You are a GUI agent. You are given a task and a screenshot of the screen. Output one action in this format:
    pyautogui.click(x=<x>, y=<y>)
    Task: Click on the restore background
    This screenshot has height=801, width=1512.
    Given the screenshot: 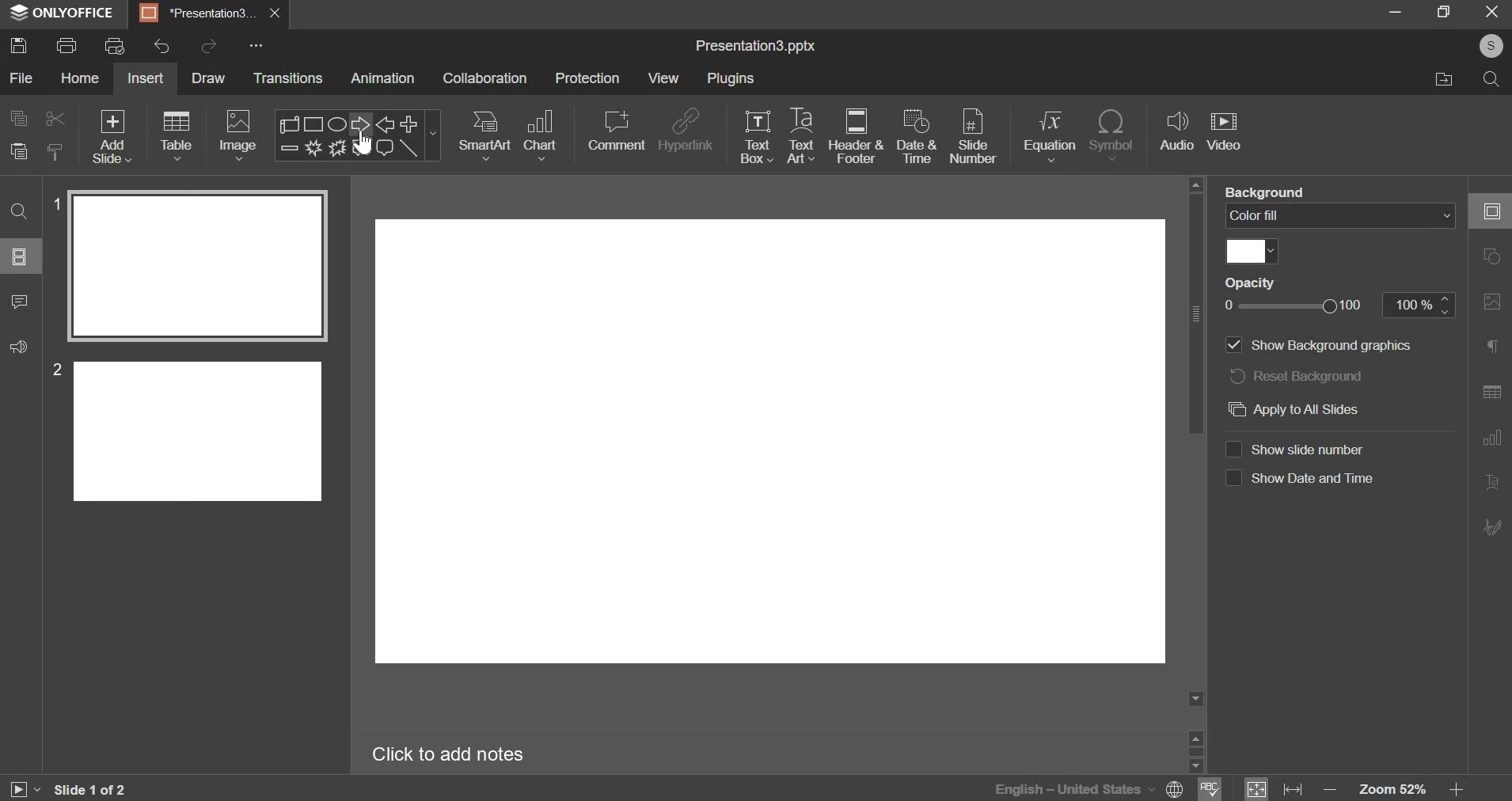 What is the action you would take?
    pyautogui.click(x=1297, y=374)
    